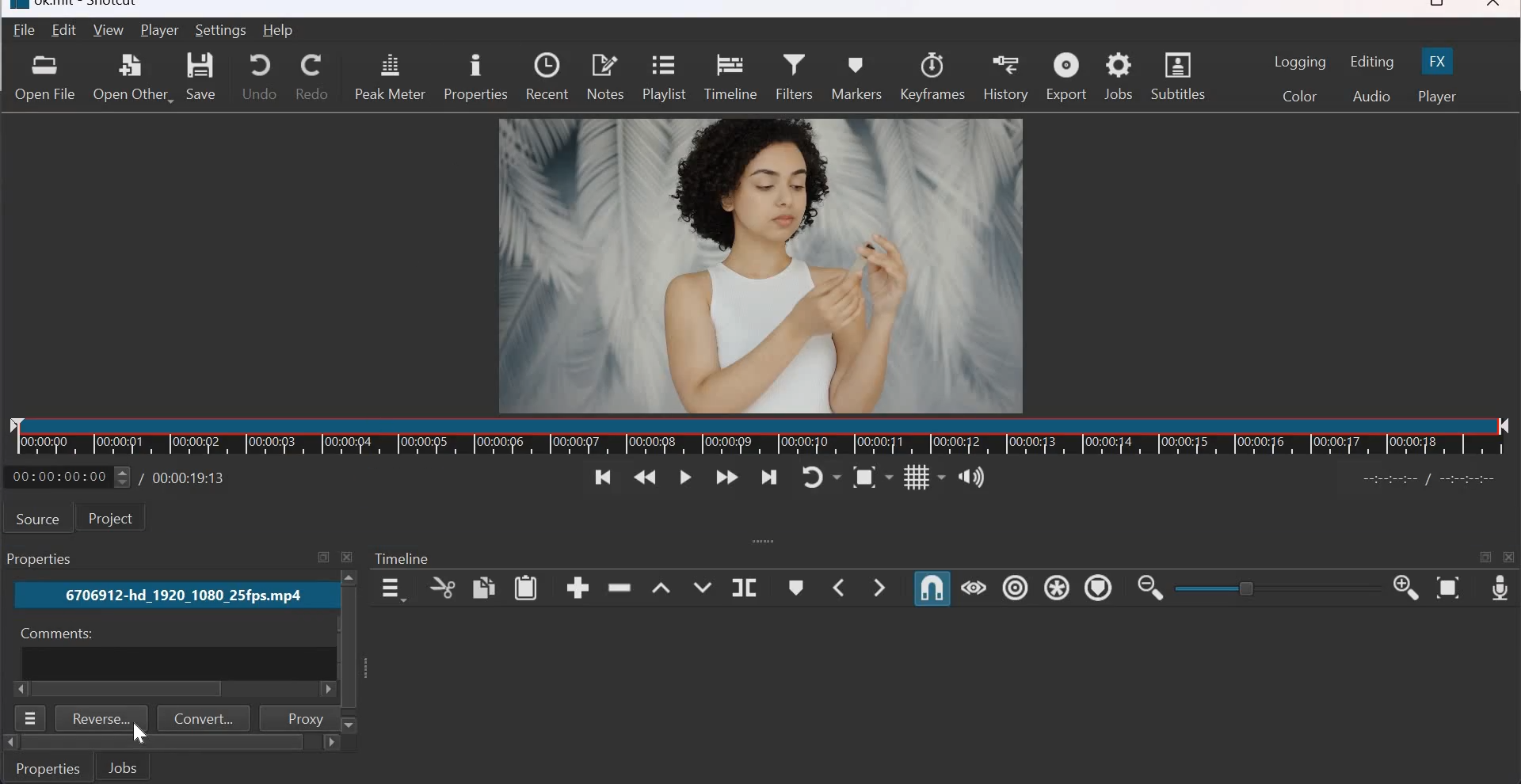 This screenshot has width=1521, height=784. What do you see at coordinates (441, 588) in the screenshot?
I see `cut` at bounding box center [441, 588].